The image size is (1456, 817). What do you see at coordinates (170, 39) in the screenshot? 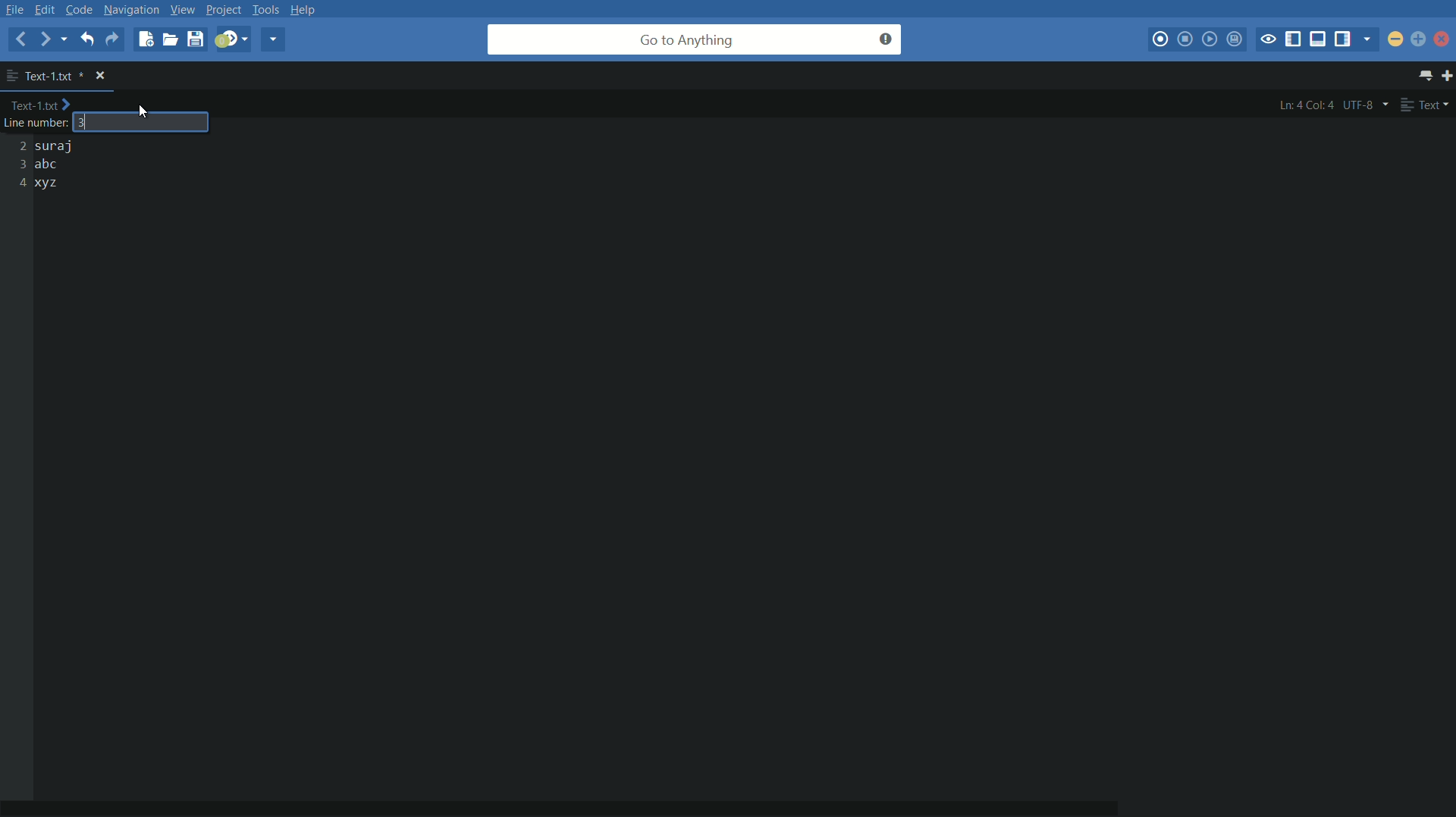
I see `open file` at bounding box center [170, 39].